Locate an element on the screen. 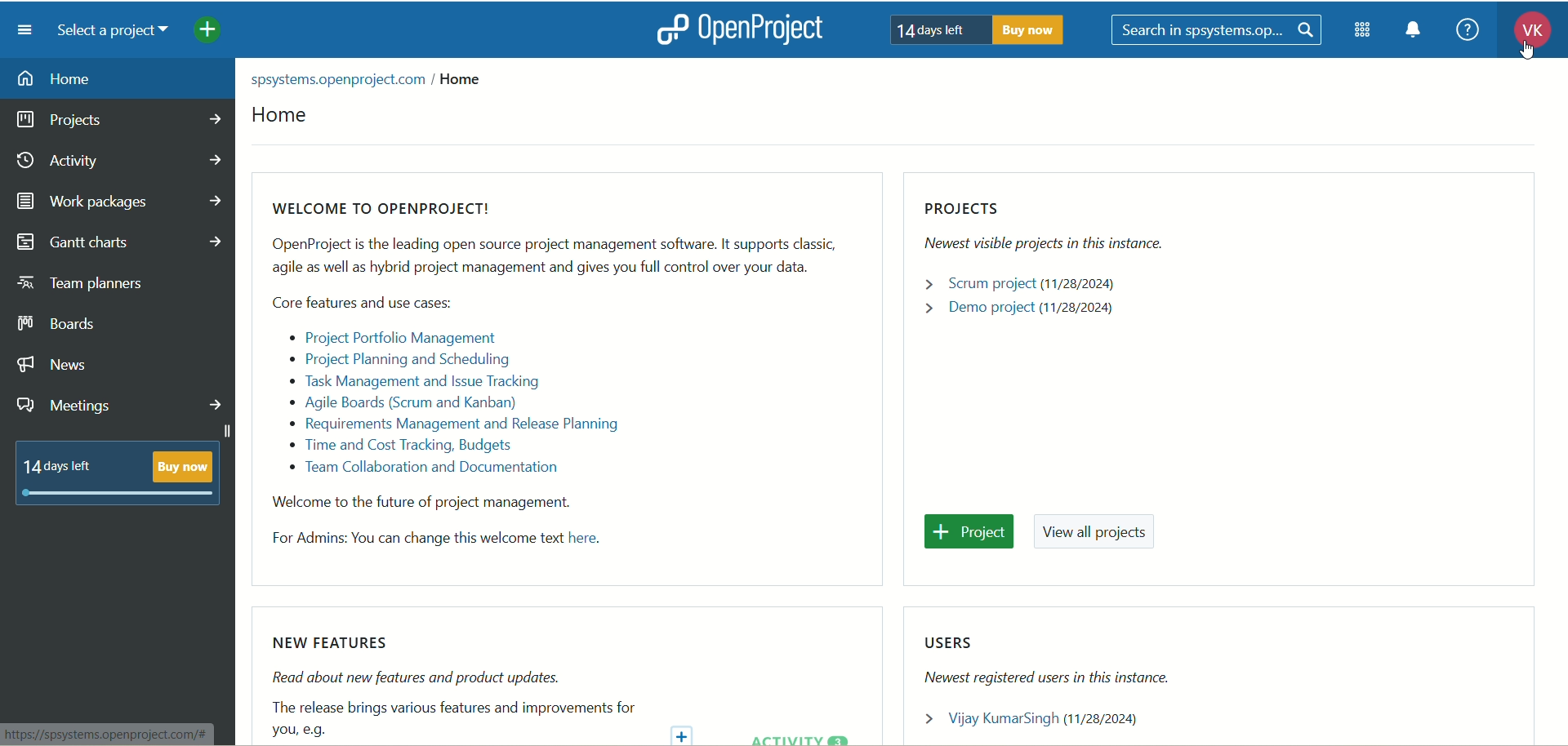 Image resolution: width=1568 pixels, height=746 pixels. text is located at coordinates (454, 687).